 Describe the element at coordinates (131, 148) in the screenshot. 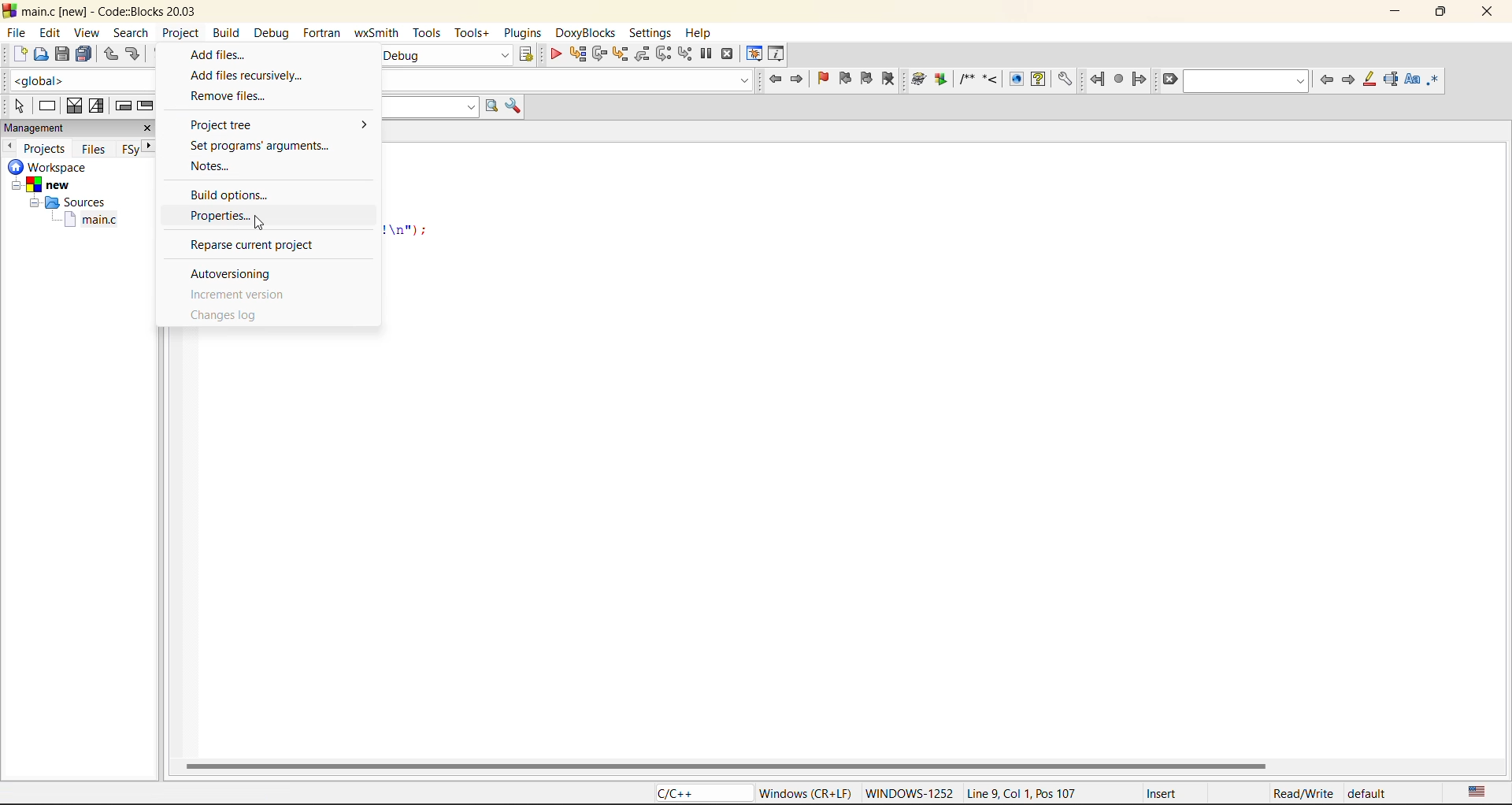

I see `FSy` at that location.